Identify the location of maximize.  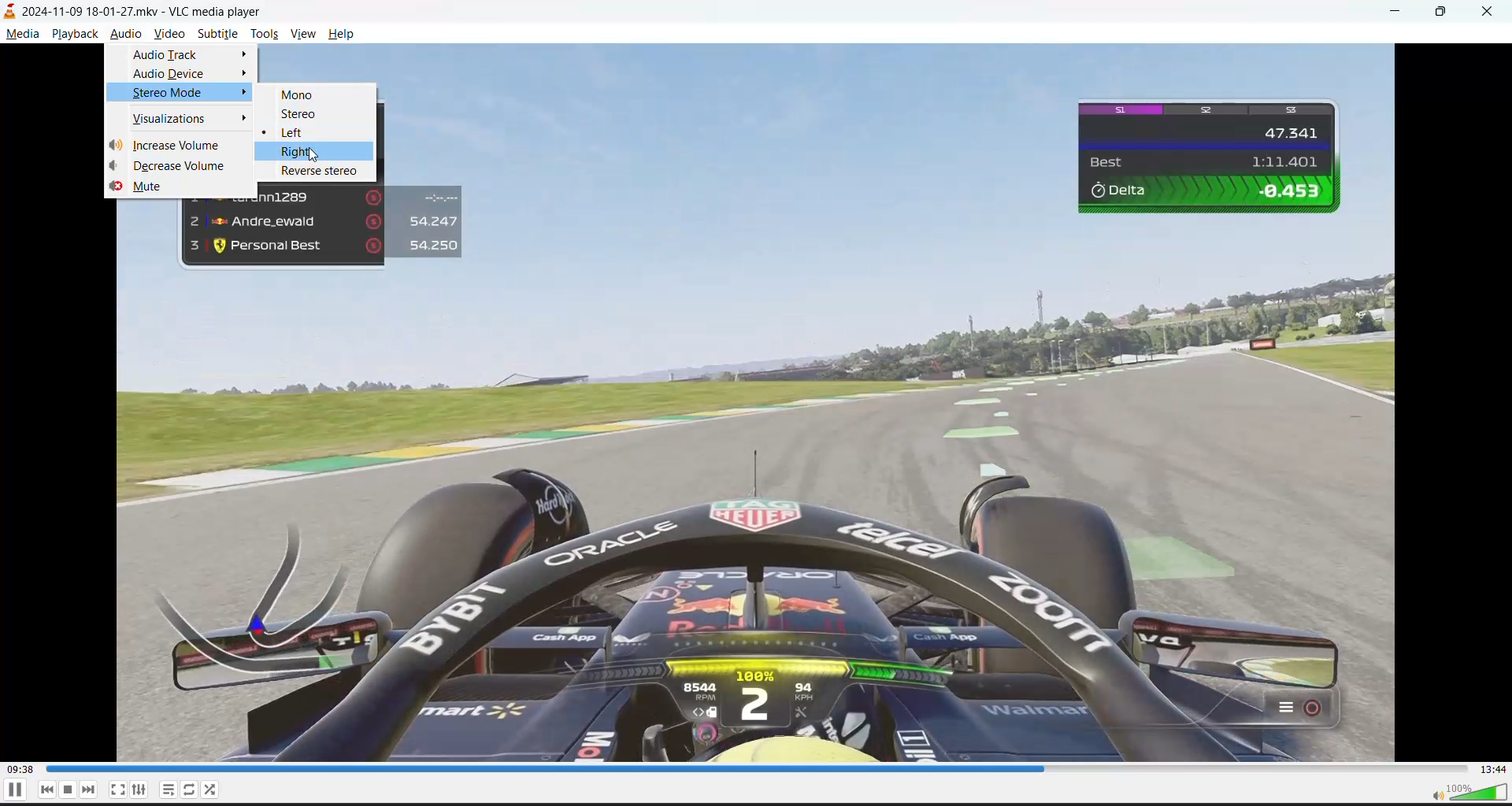
(1445, 13).